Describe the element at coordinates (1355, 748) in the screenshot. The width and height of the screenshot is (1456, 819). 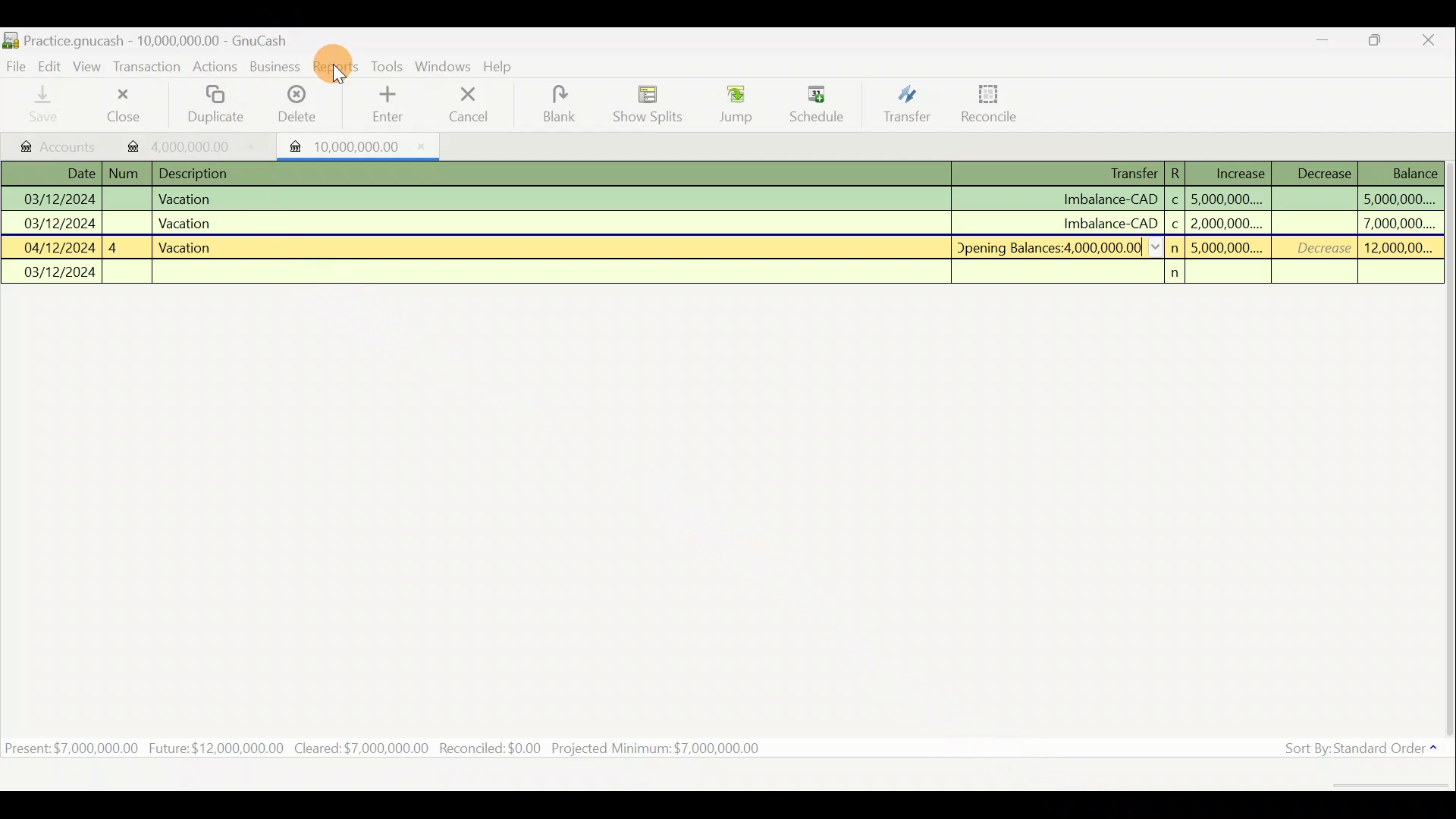
I see `Sort By: Standard Order` at that location.